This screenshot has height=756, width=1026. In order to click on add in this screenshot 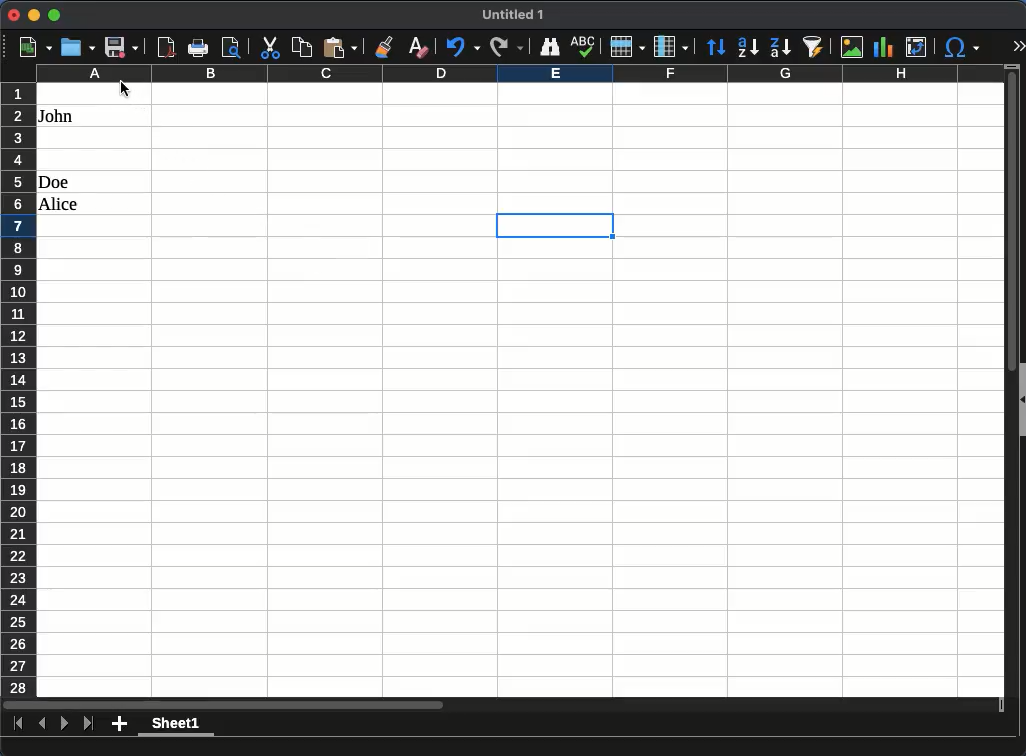, I will do `click(120, 723)`.